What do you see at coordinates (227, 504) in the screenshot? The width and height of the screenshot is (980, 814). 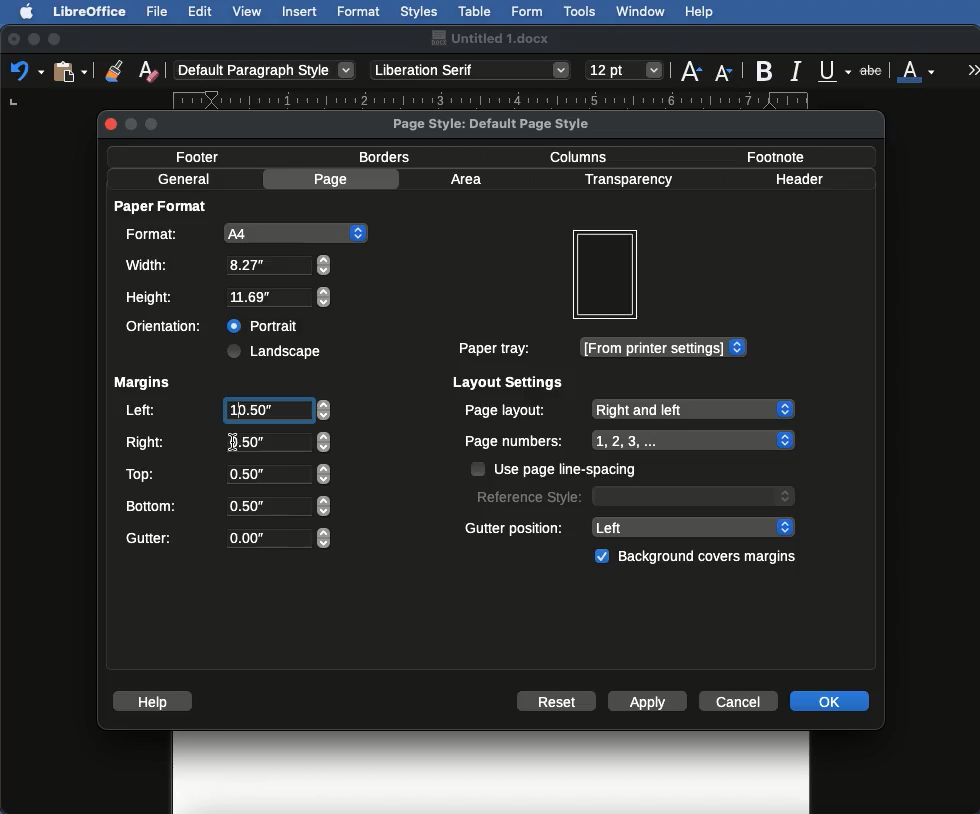 I see `Bottom` at bounding box center [227, 504].